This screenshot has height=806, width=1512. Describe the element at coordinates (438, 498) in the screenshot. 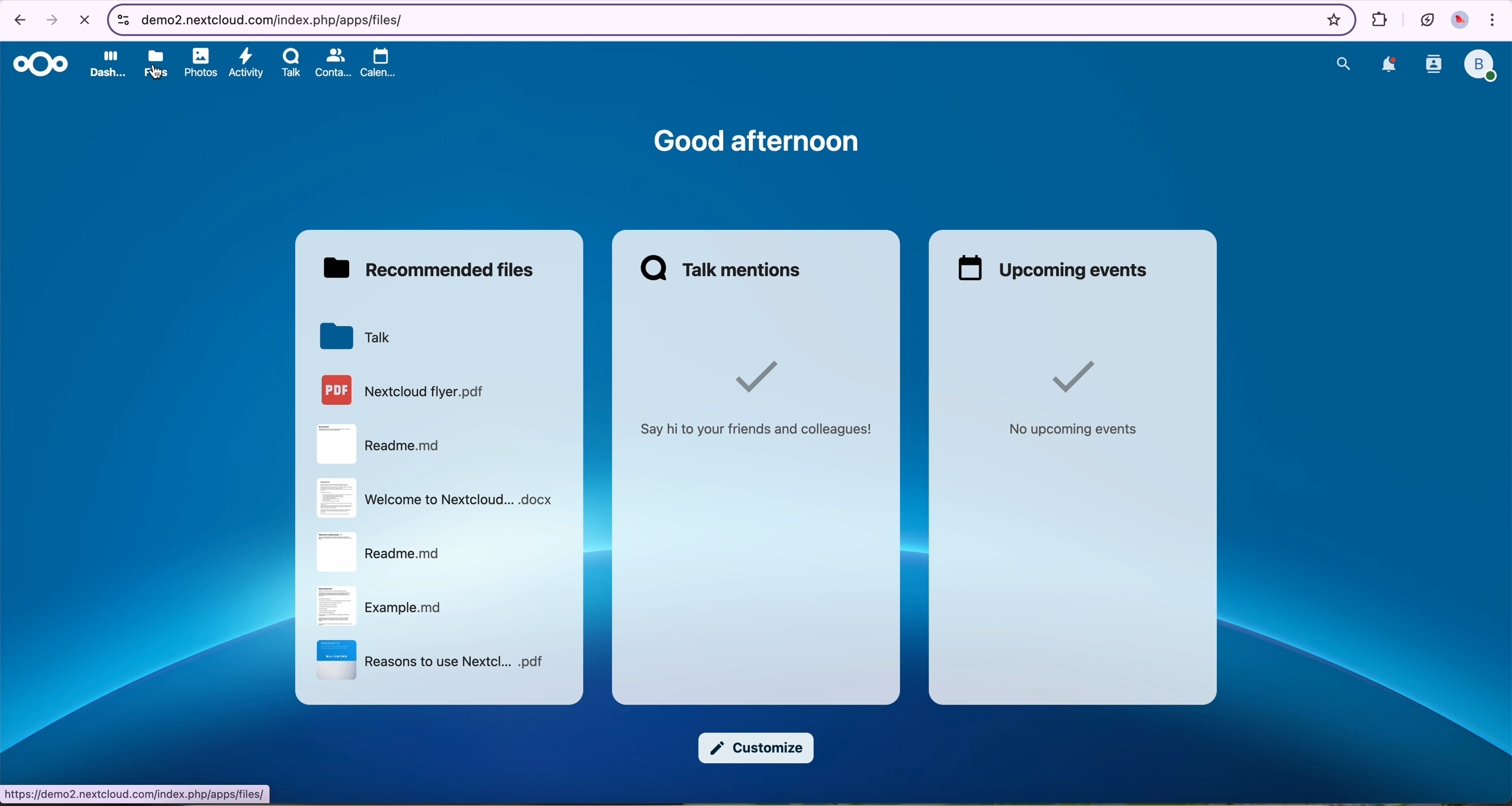

I see `file` at that location.